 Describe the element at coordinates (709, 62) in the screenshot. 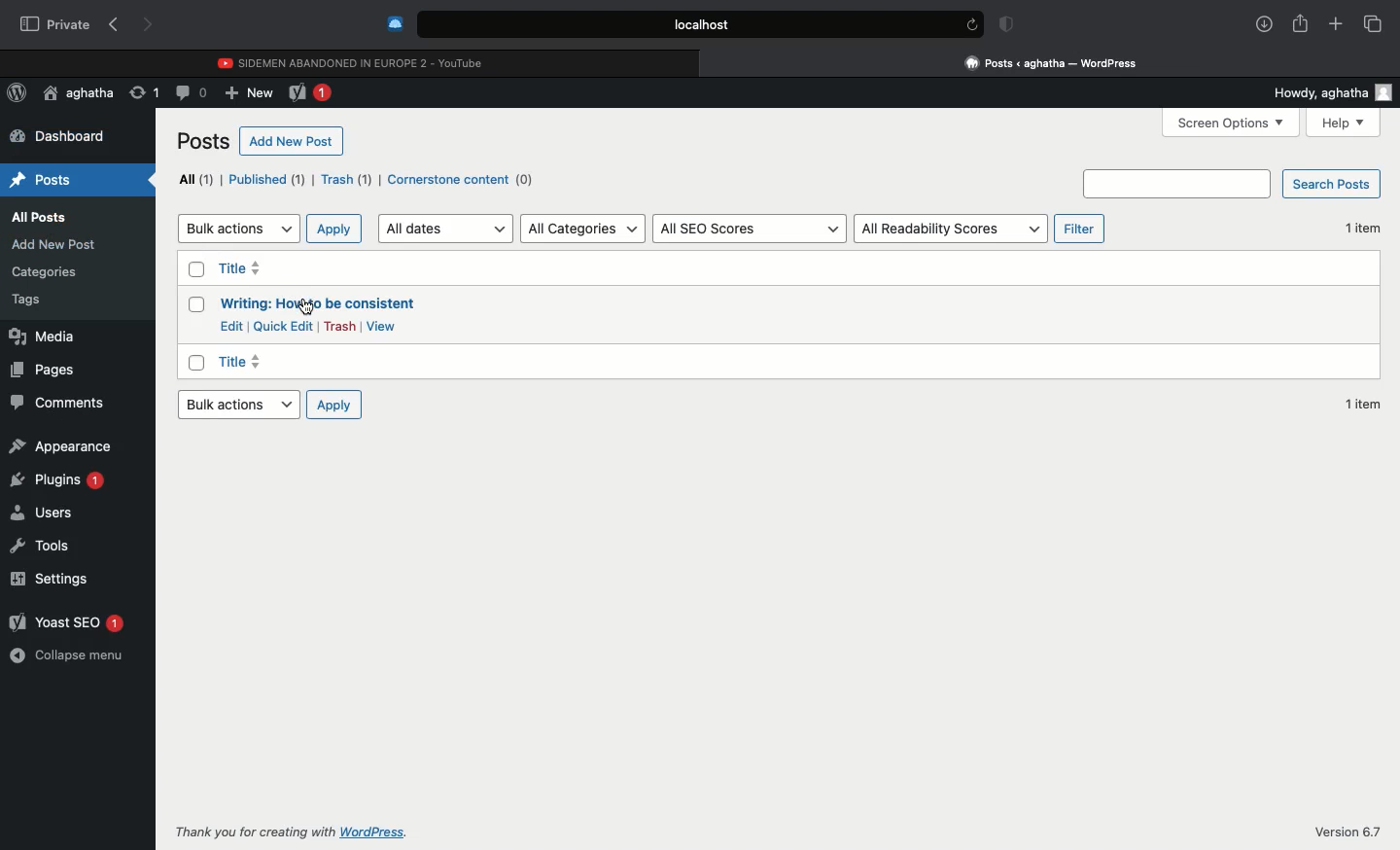

I see `close` at that location.